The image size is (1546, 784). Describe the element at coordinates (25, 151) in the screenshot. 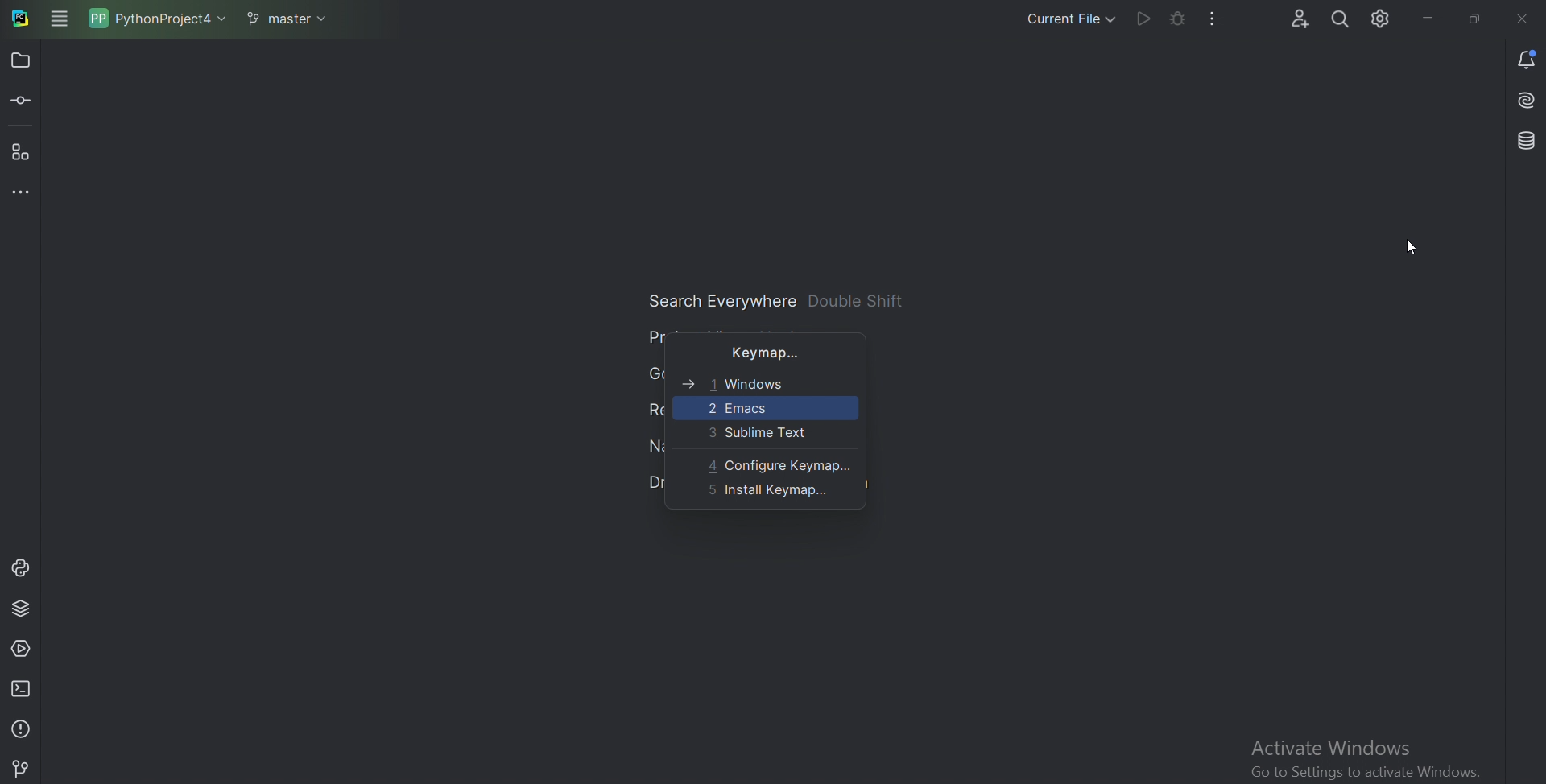

I see `Structure` at that location.